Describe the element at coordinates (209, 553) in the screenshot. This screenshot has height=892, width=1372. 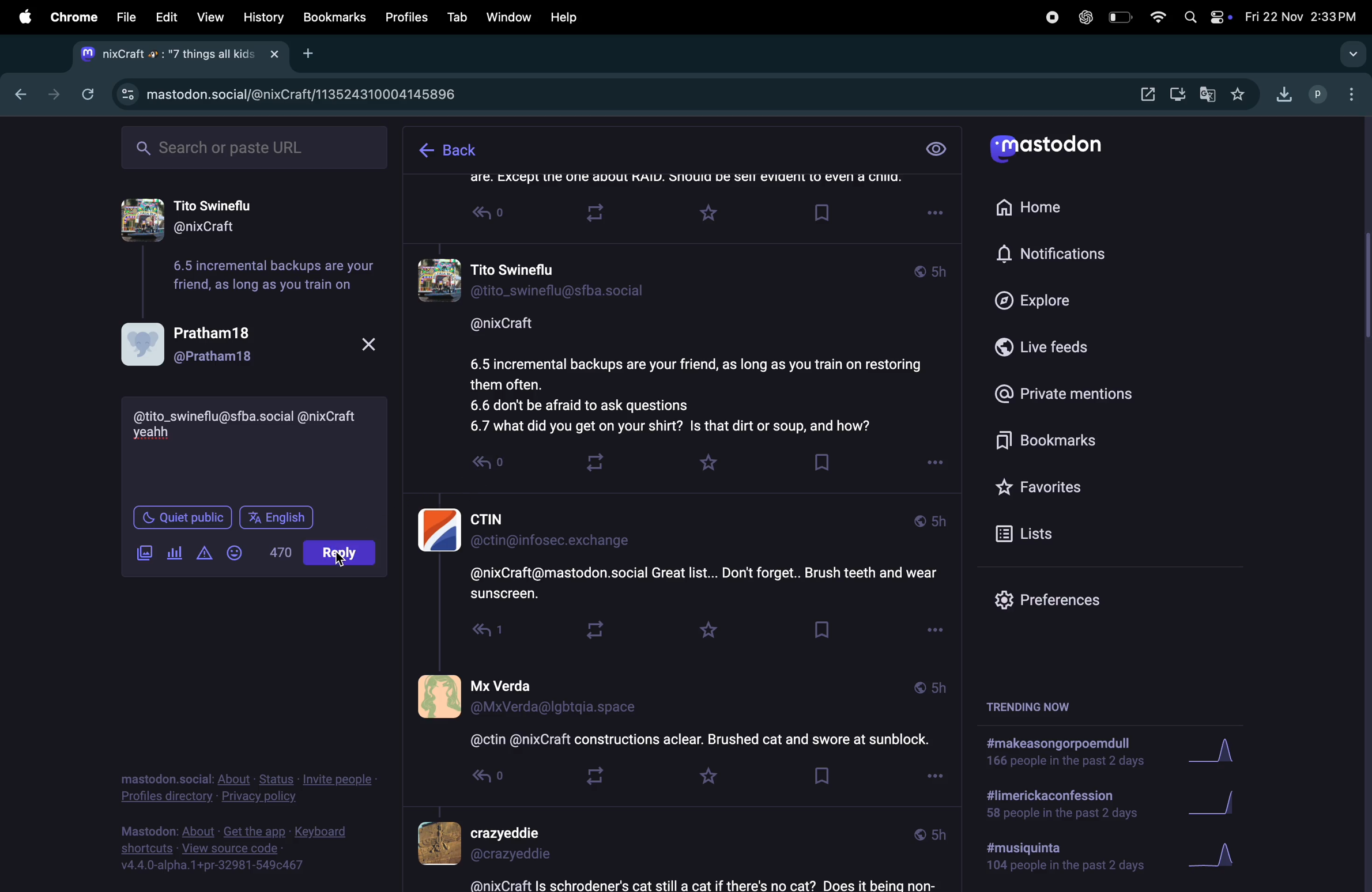
I see `add content waning` at that location.